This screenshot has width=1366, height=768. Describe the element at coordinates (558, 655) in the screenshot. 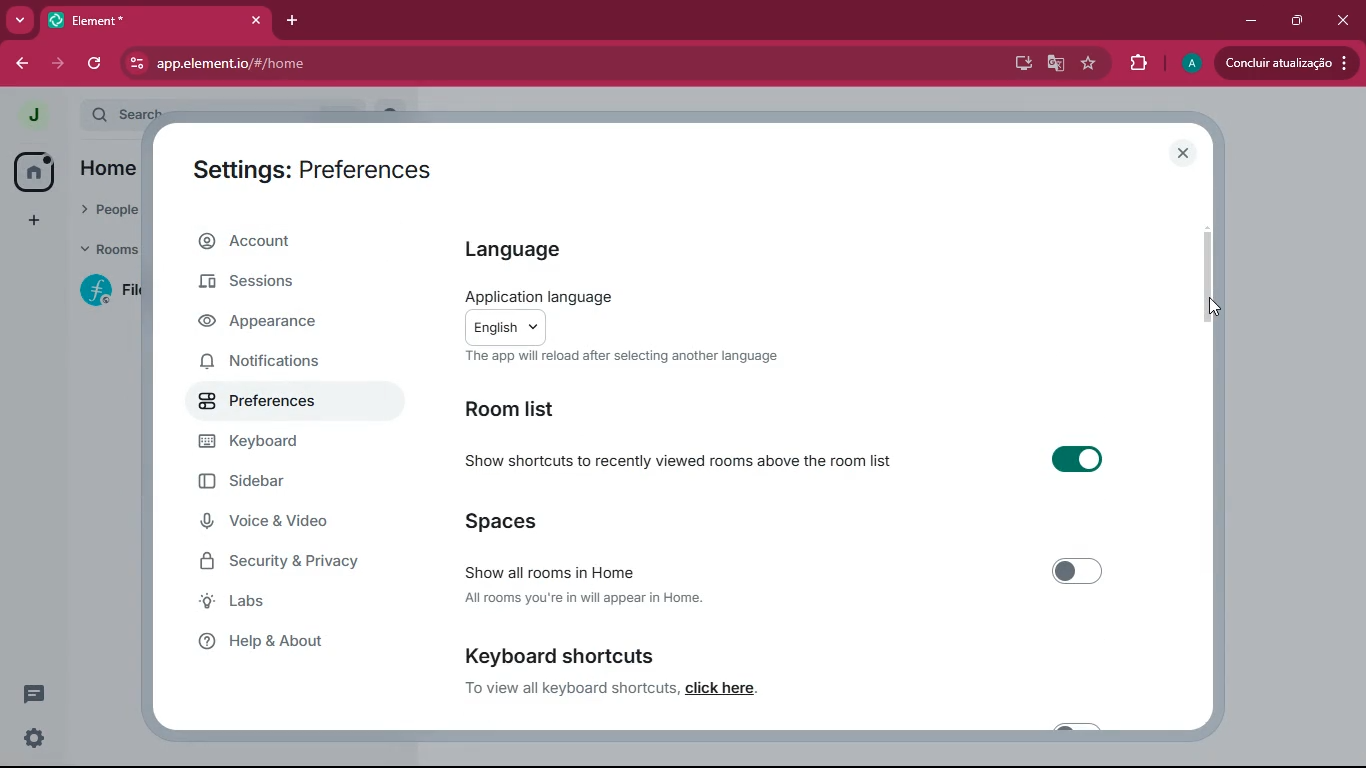

I see `keyboard shortcuts` at that location.